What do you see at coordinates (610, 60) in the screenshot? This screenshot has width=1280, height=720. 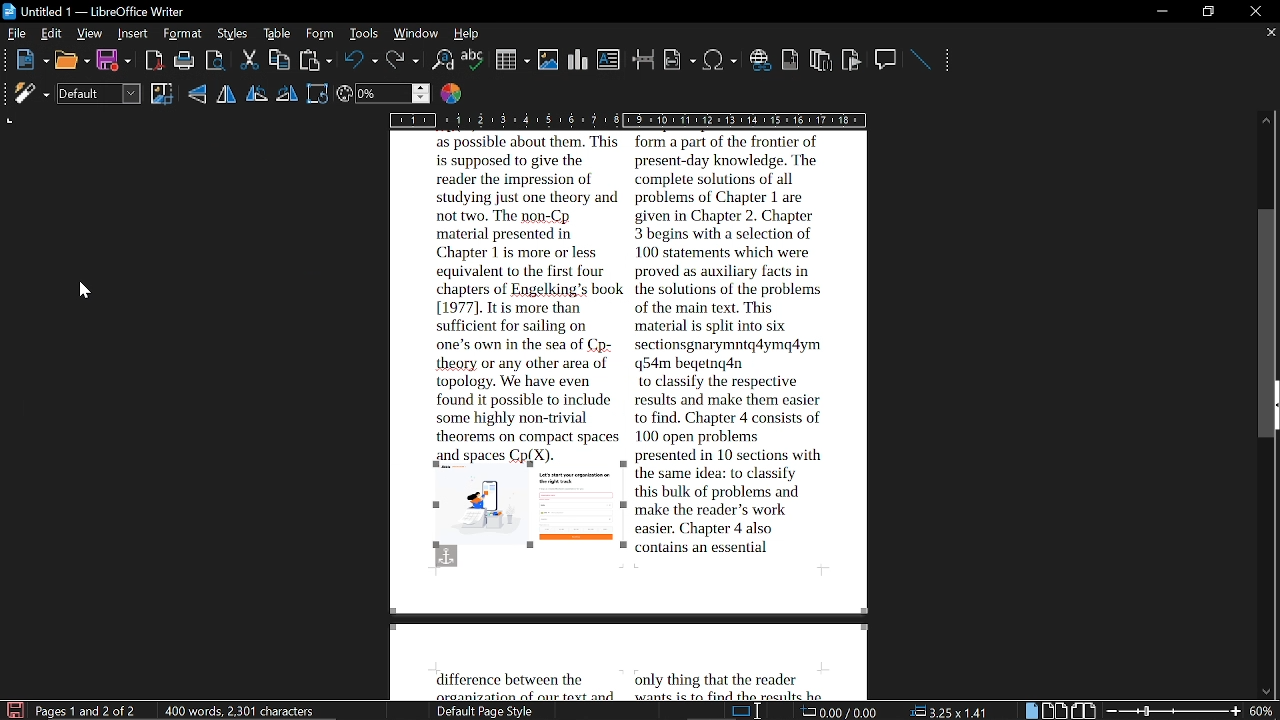 I see `insert text` at bounding box center [610, 60].